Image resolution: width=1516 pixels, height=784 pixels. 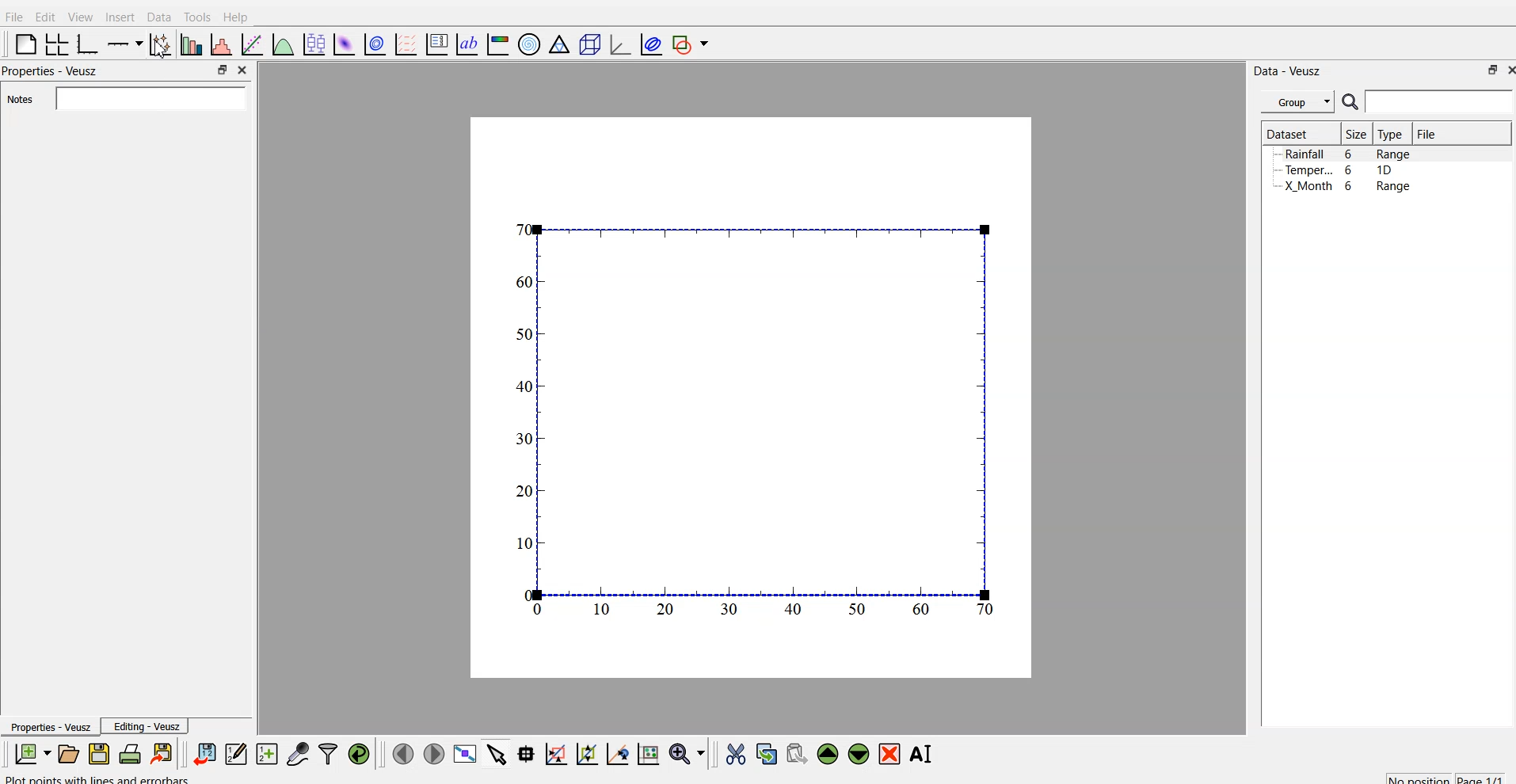 What do you see at coordinates (693, 45) in the screenshot?
I see `add shape to plot` at bounding box center [693, 45].